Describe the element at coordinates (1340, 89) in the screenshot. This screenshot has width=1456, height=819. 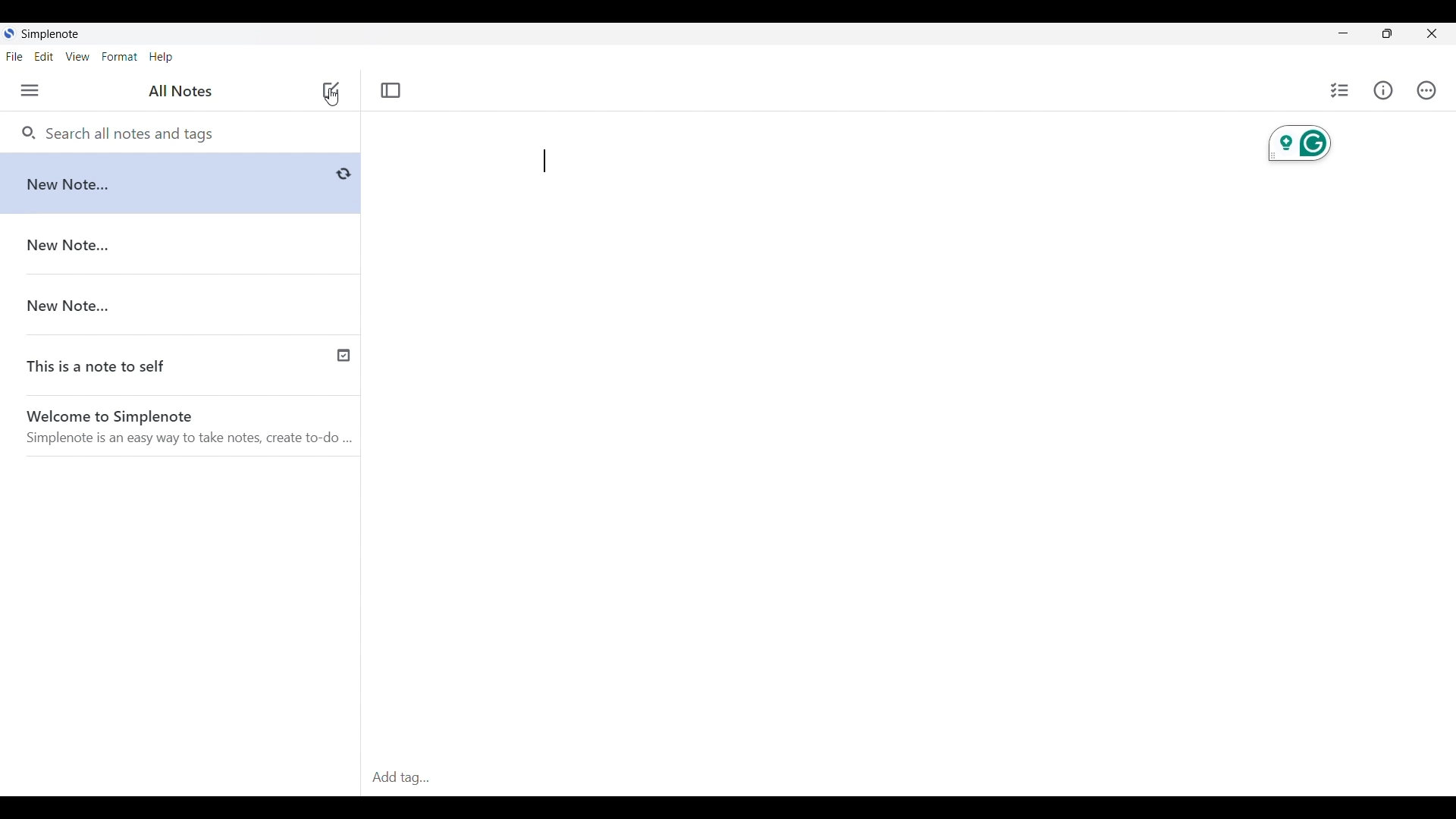
I see `Insert checklist` at that location.